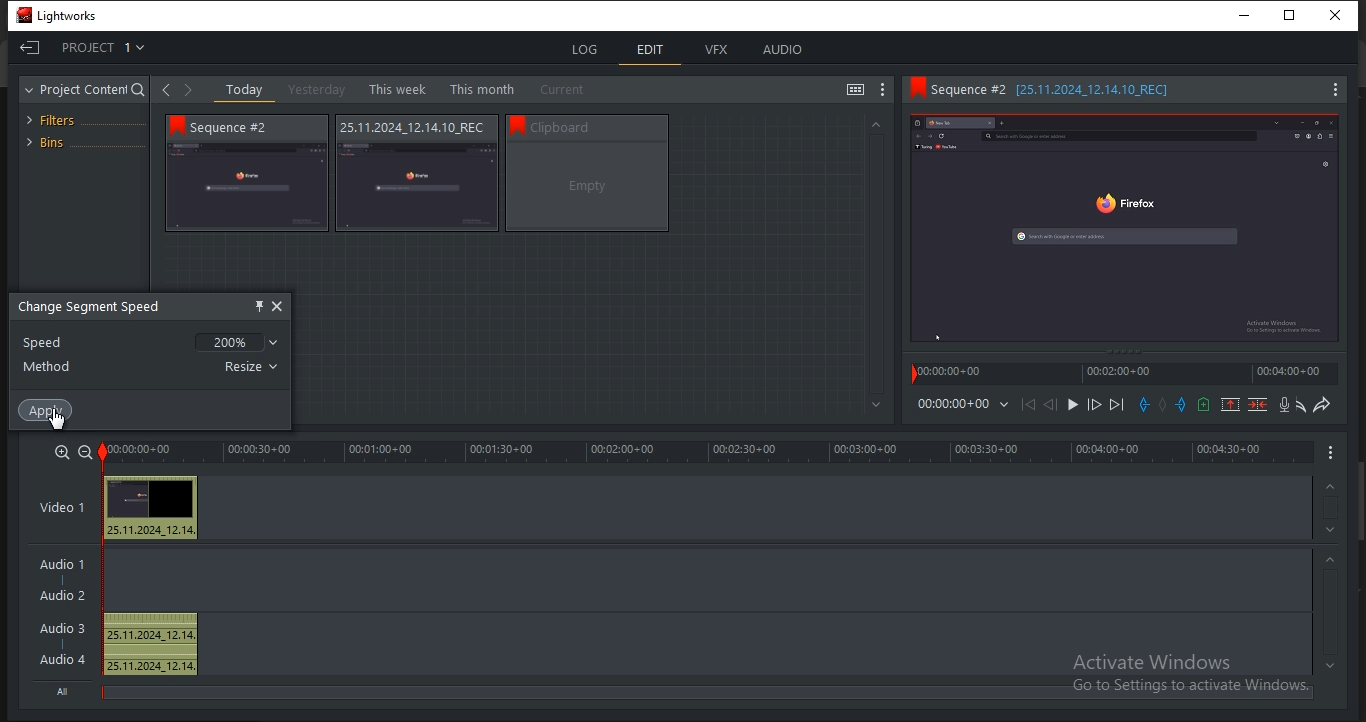 This screenshot has height=722, width=1366. Describe the element at coordinates (94, 306) in the screenshot. I see `change segment speed` at that location.